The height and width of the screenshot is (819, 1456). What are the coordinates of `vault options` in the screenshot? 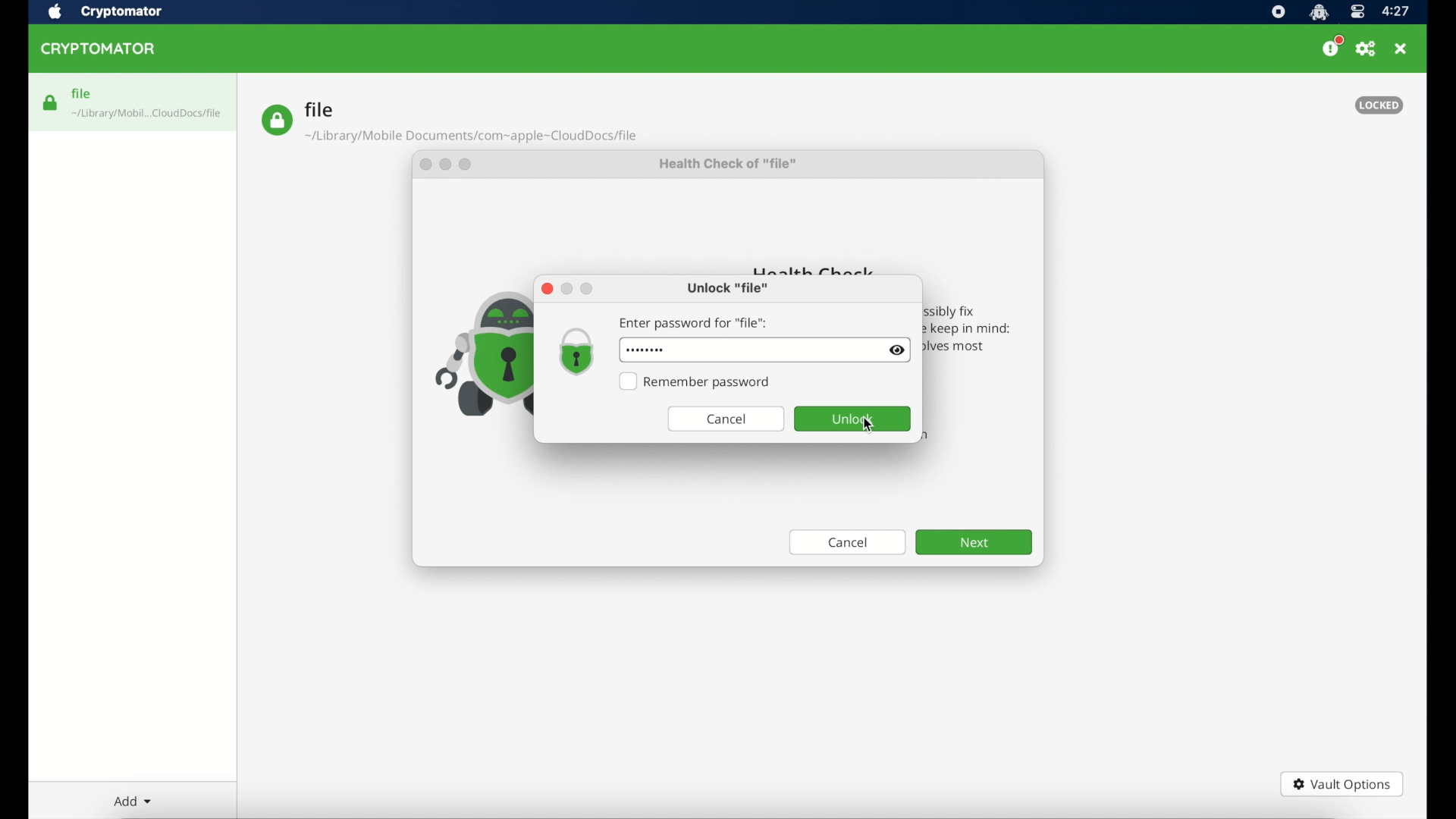 It's located at (1342, 784).